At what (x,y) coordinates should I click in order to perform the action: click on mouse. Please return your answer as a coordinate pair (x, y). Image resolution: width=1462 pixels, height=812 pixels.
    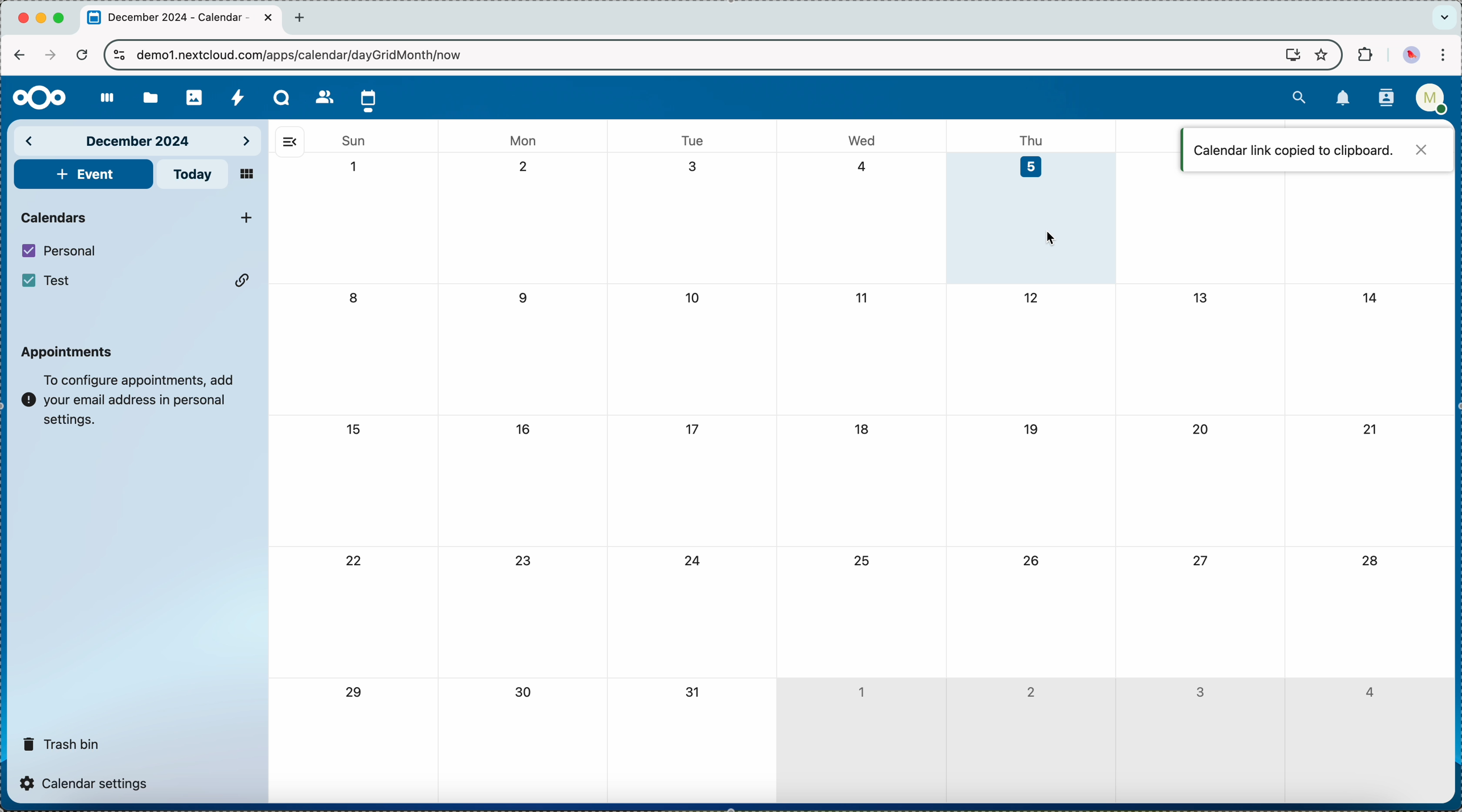
    Looking at the image, I should click on (1052, 238).